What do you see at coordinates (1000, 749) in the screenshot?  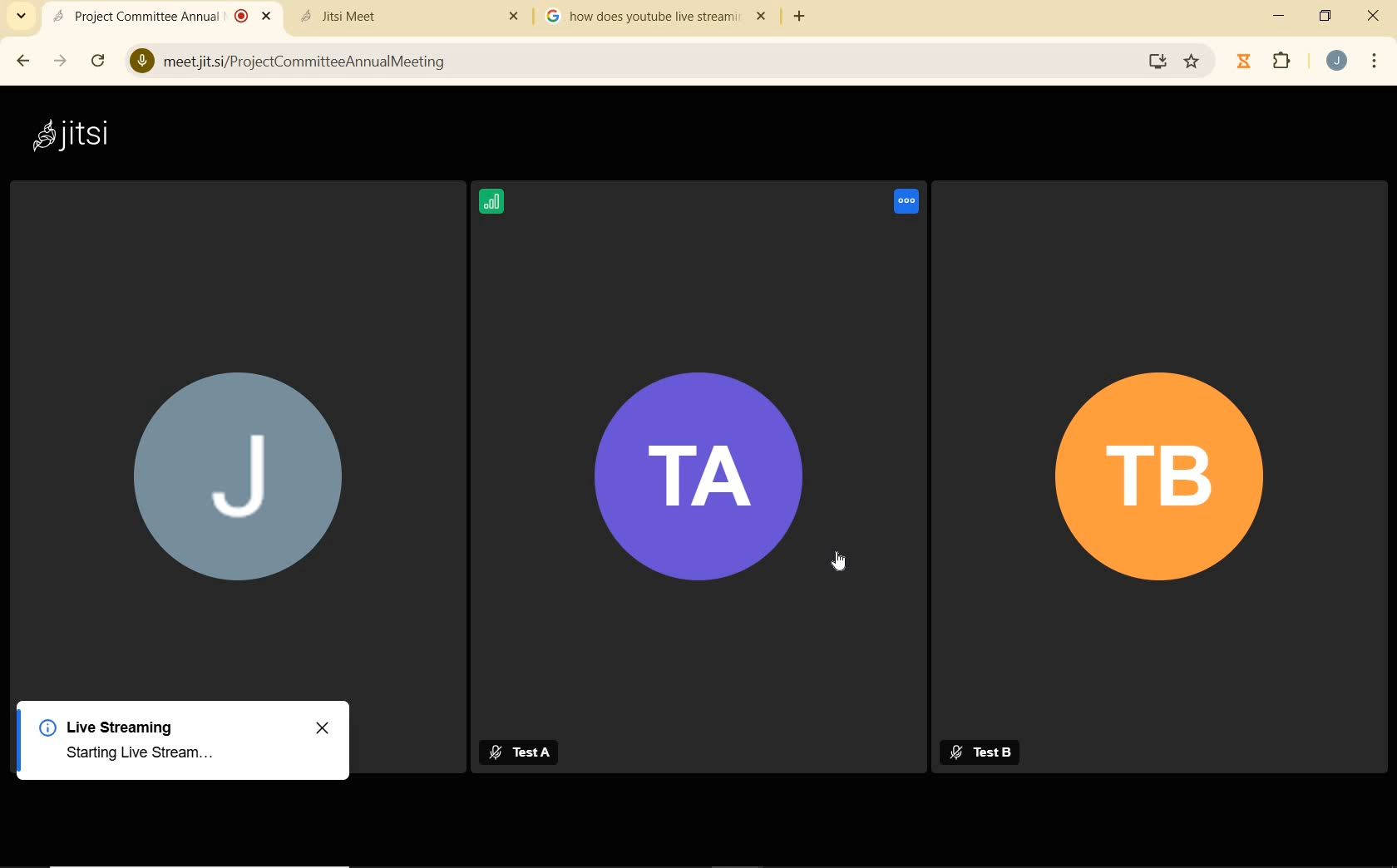 I see `Test B` at bounding box center [1000, 749].